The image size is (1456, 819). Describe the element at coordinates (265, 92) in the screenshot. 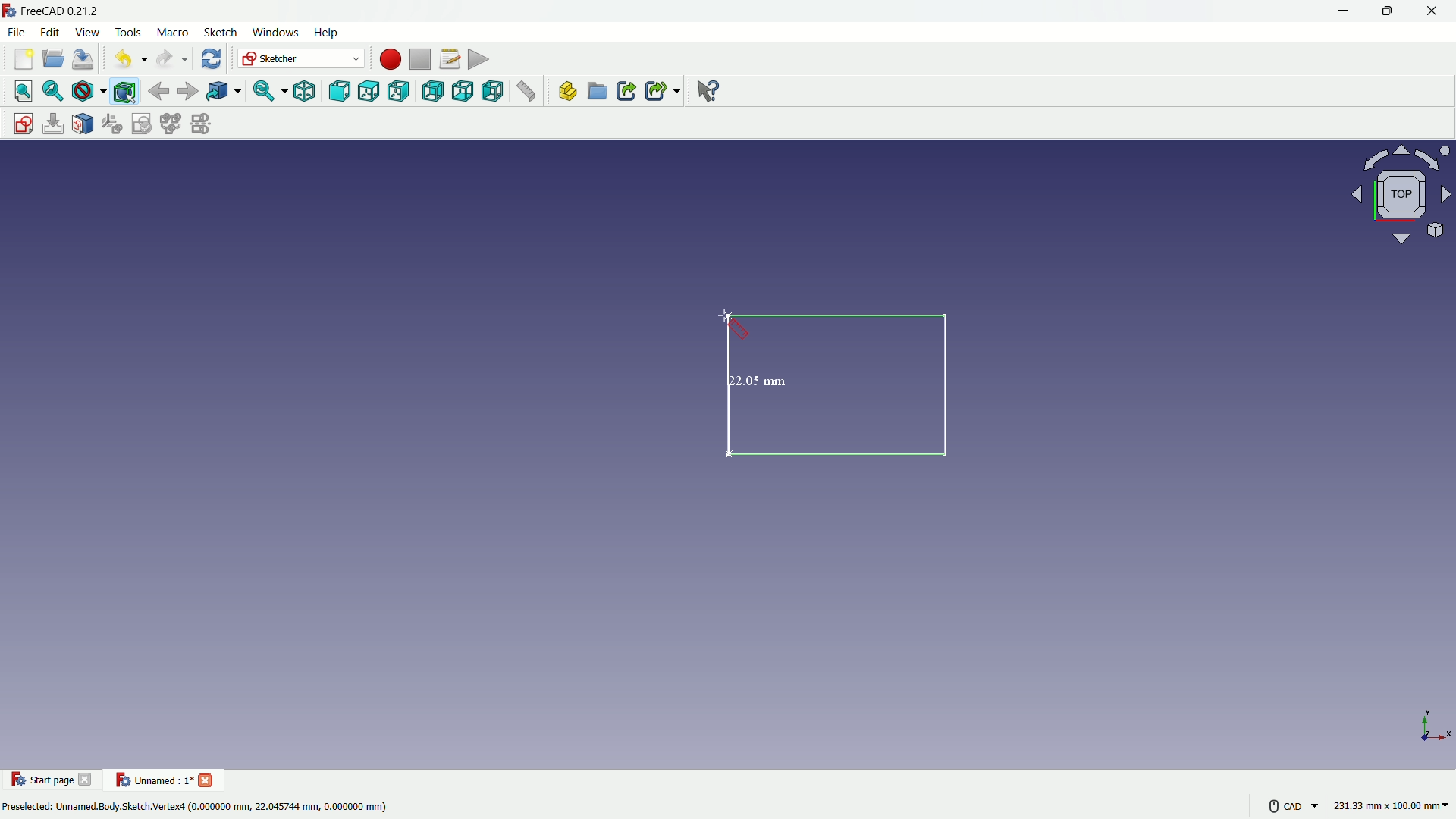

I see `sync view` at that location.